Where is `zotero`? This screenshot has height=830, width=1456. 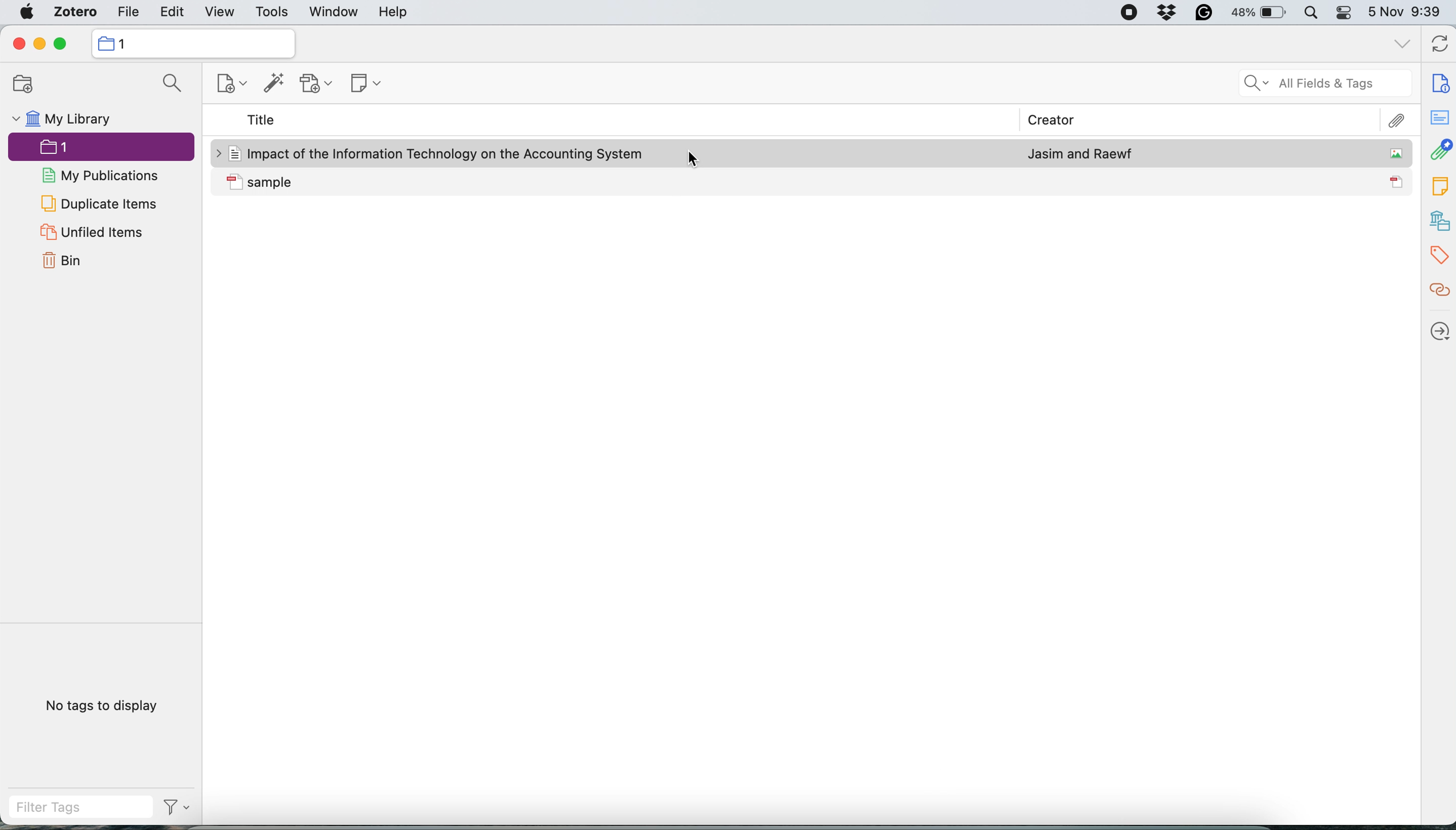
zotero is located at coordinates (76, 12).